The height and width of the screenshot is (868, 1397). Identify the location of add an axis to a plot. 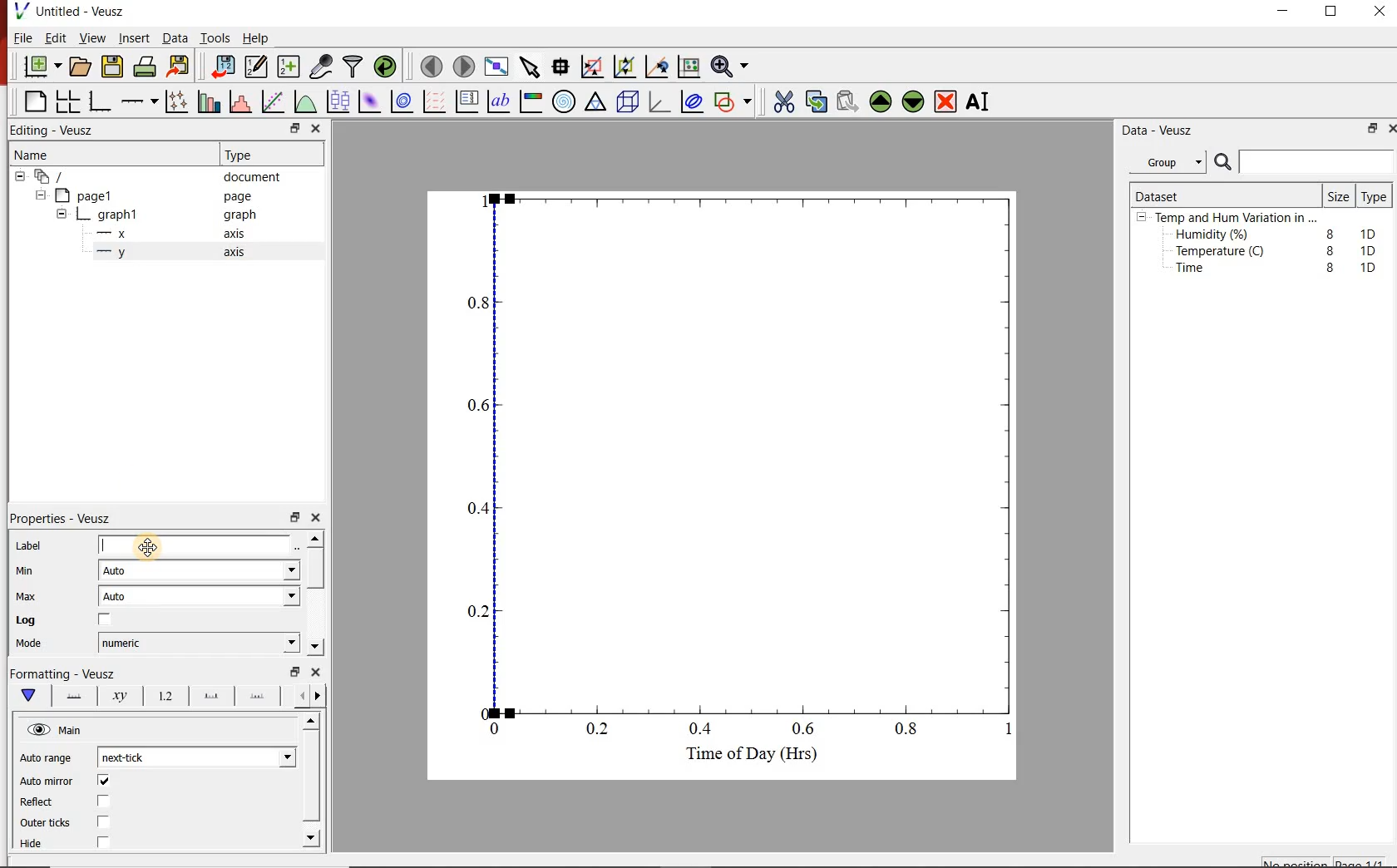
(141, 100).